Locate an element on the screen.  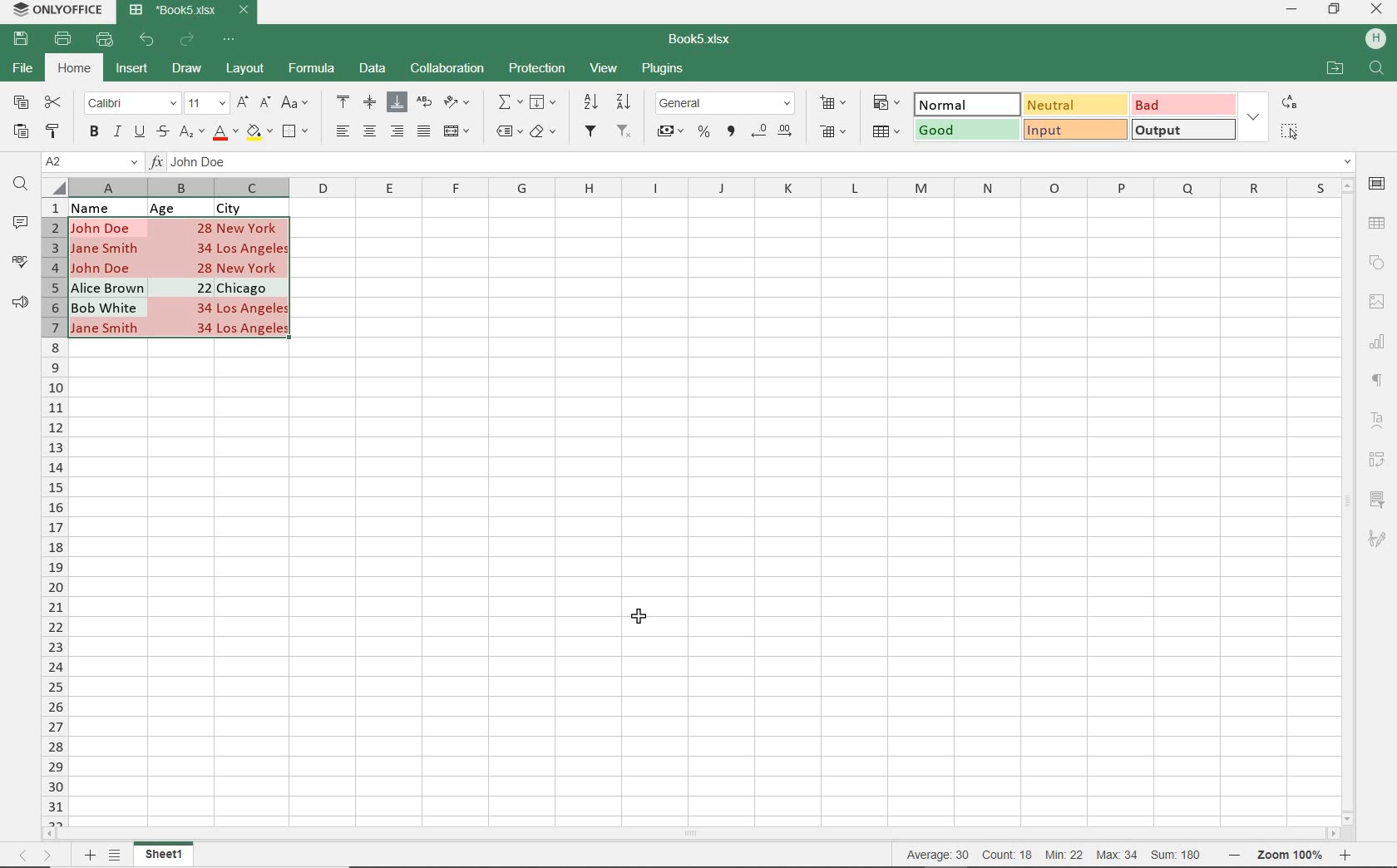
OPEN FILE LOCATION is located at coordinates (1335, 70).